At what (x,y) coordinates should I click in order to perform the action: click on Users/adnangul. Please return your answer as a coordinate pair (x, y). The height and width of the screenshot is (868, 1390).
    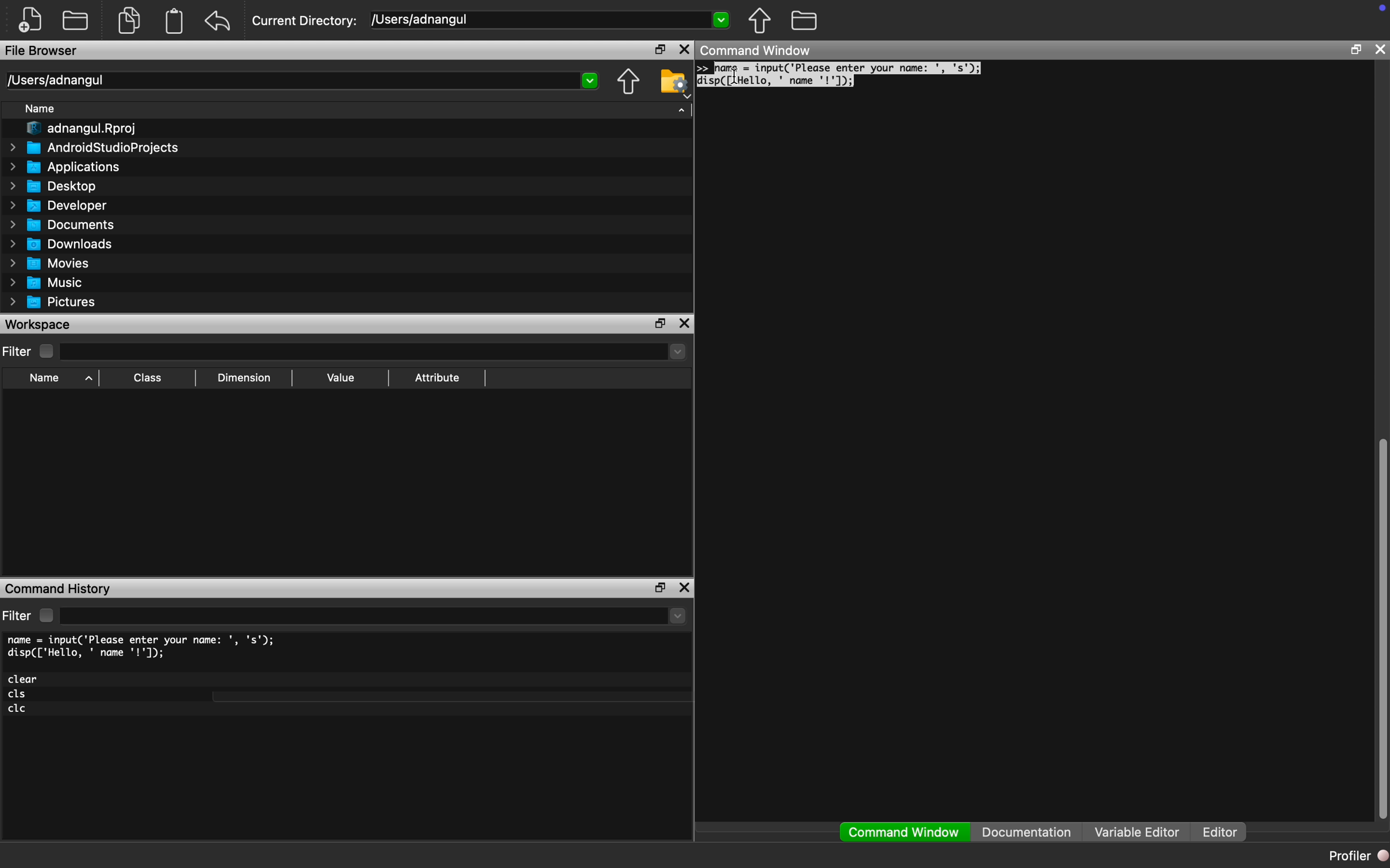
    Looking at the image, I should click on (55, 80).